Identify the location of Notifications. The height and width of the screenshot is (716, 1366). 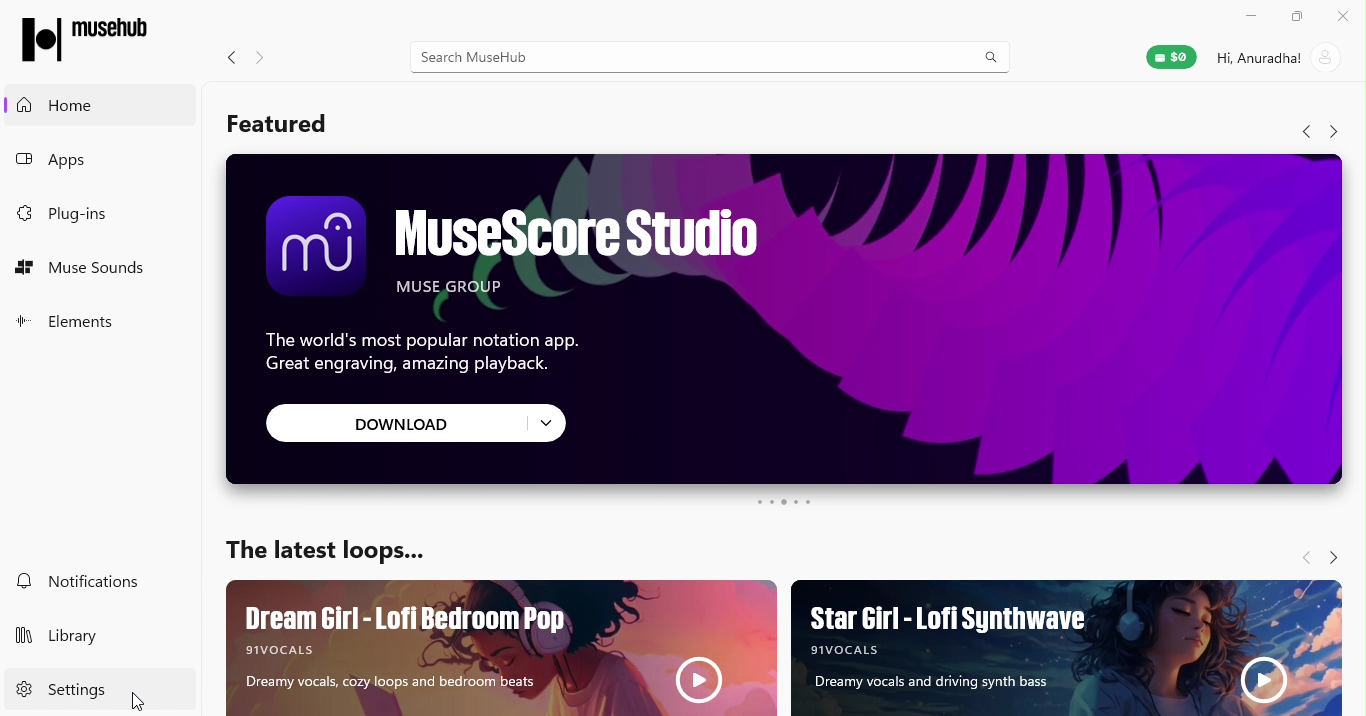
(84, 579).